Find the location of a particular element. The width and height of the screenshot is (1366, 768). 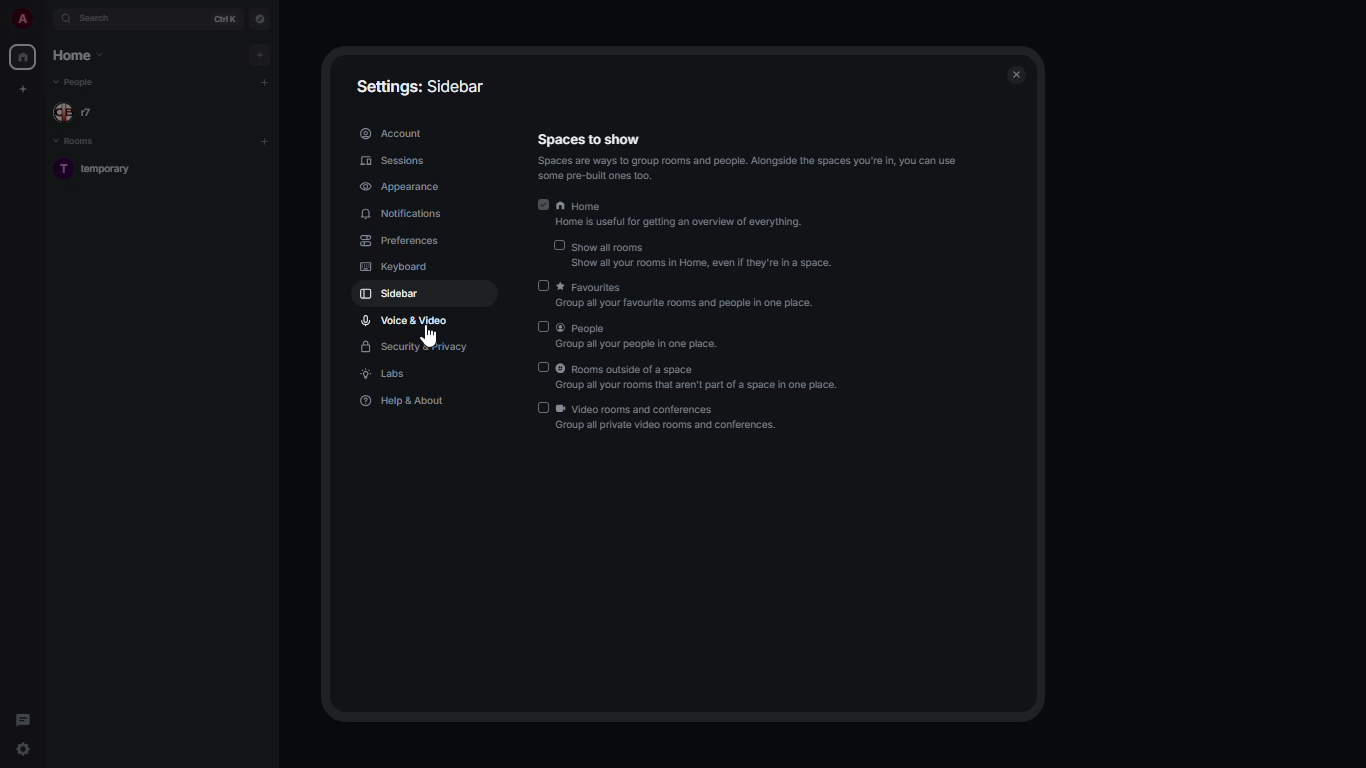

keyboard is located at coordinates (393, 268).